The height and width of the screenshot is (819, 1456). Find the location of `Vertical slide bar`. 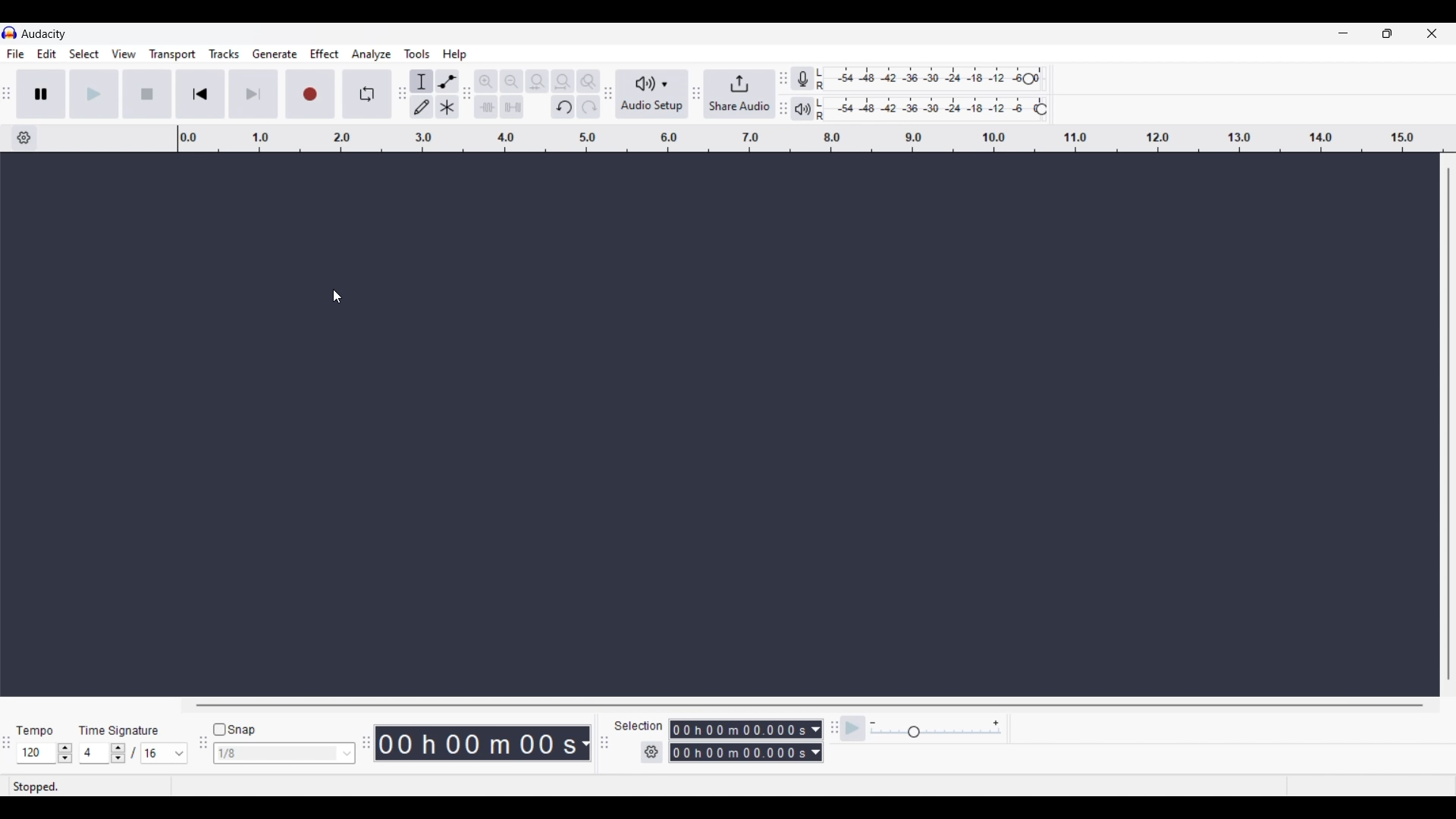

Vertical slide bar is located at coordinates (1448, 424).